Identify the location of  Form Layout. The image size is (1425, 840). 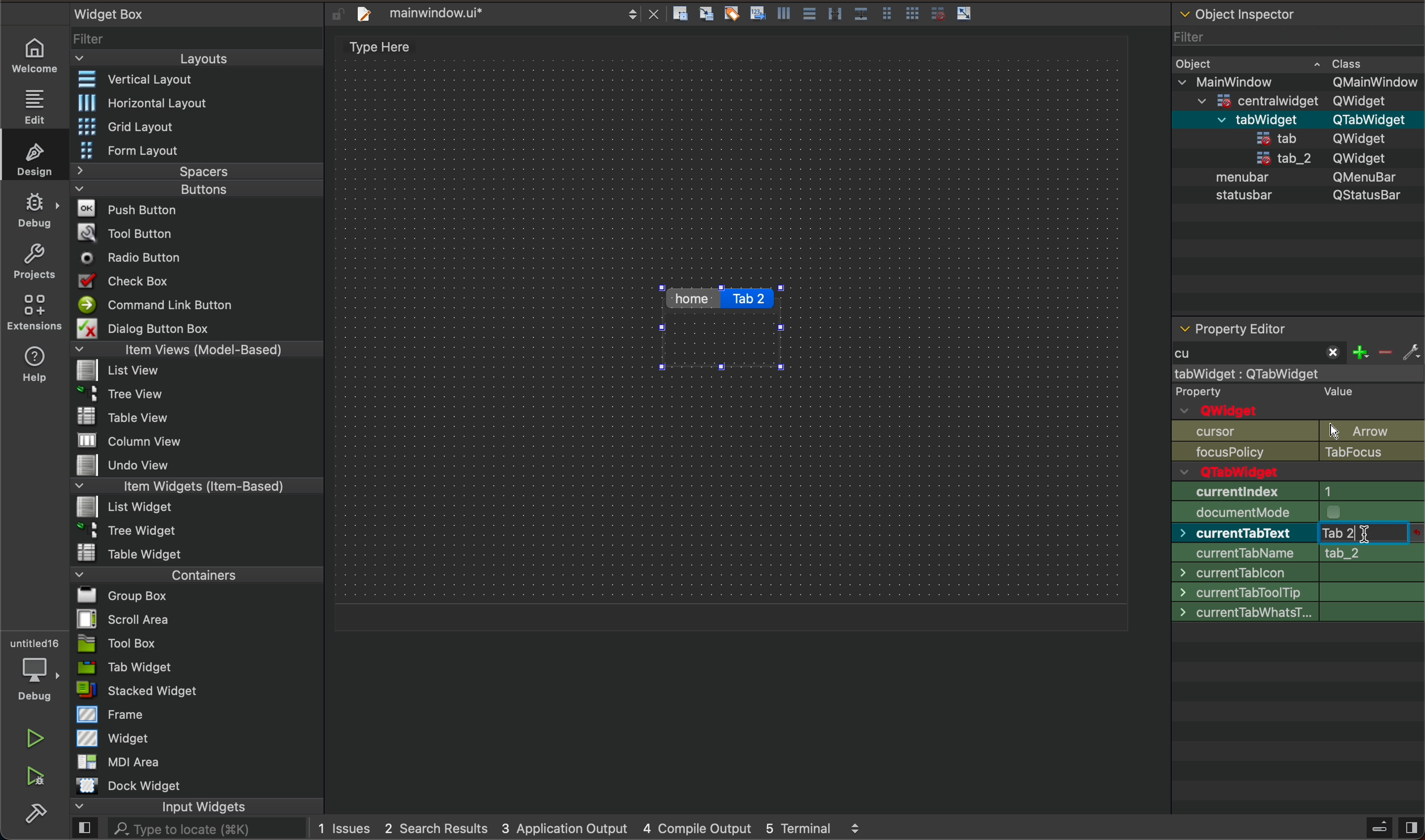
(131, 151).